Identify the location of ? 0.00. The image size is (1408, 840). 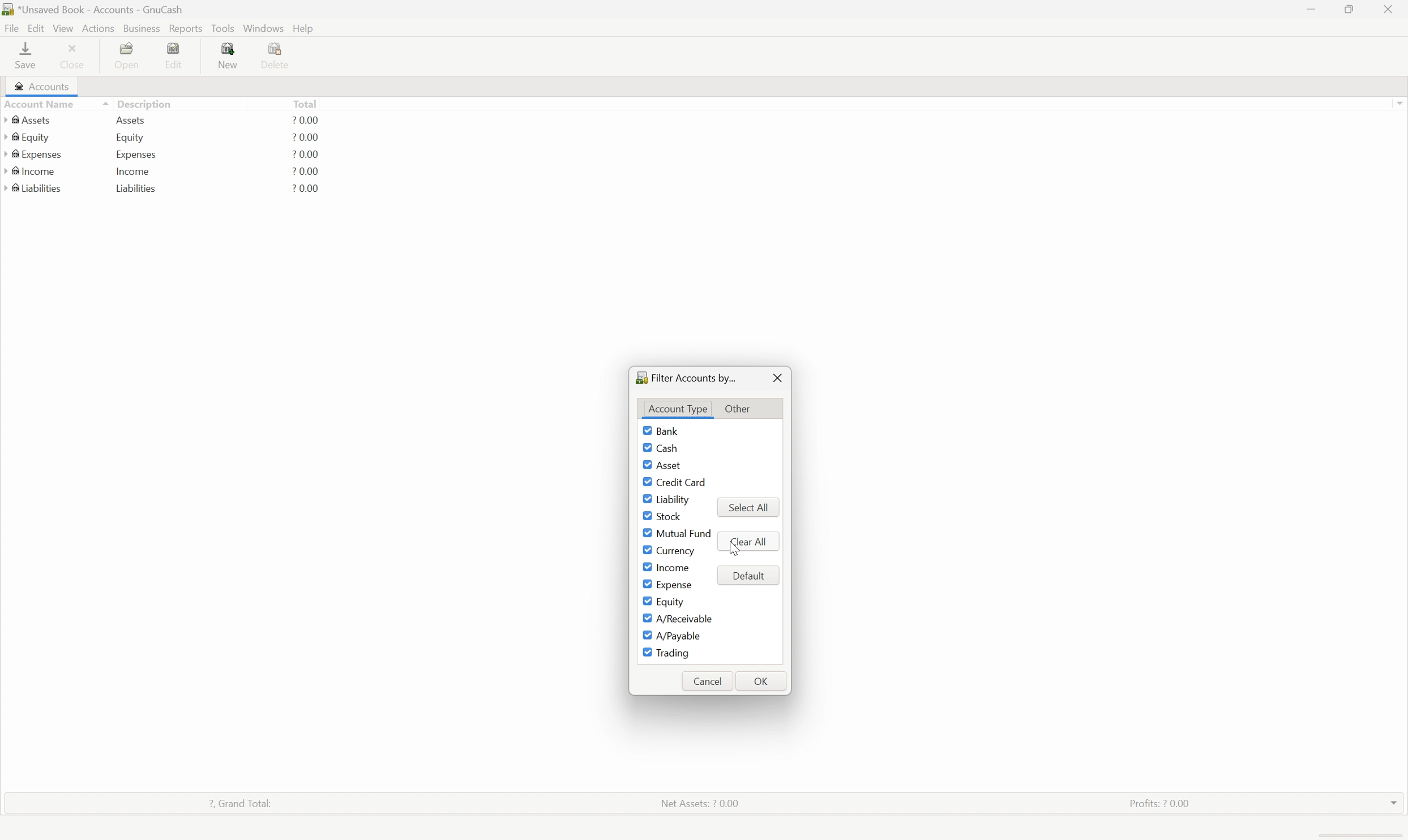
(305, 154).